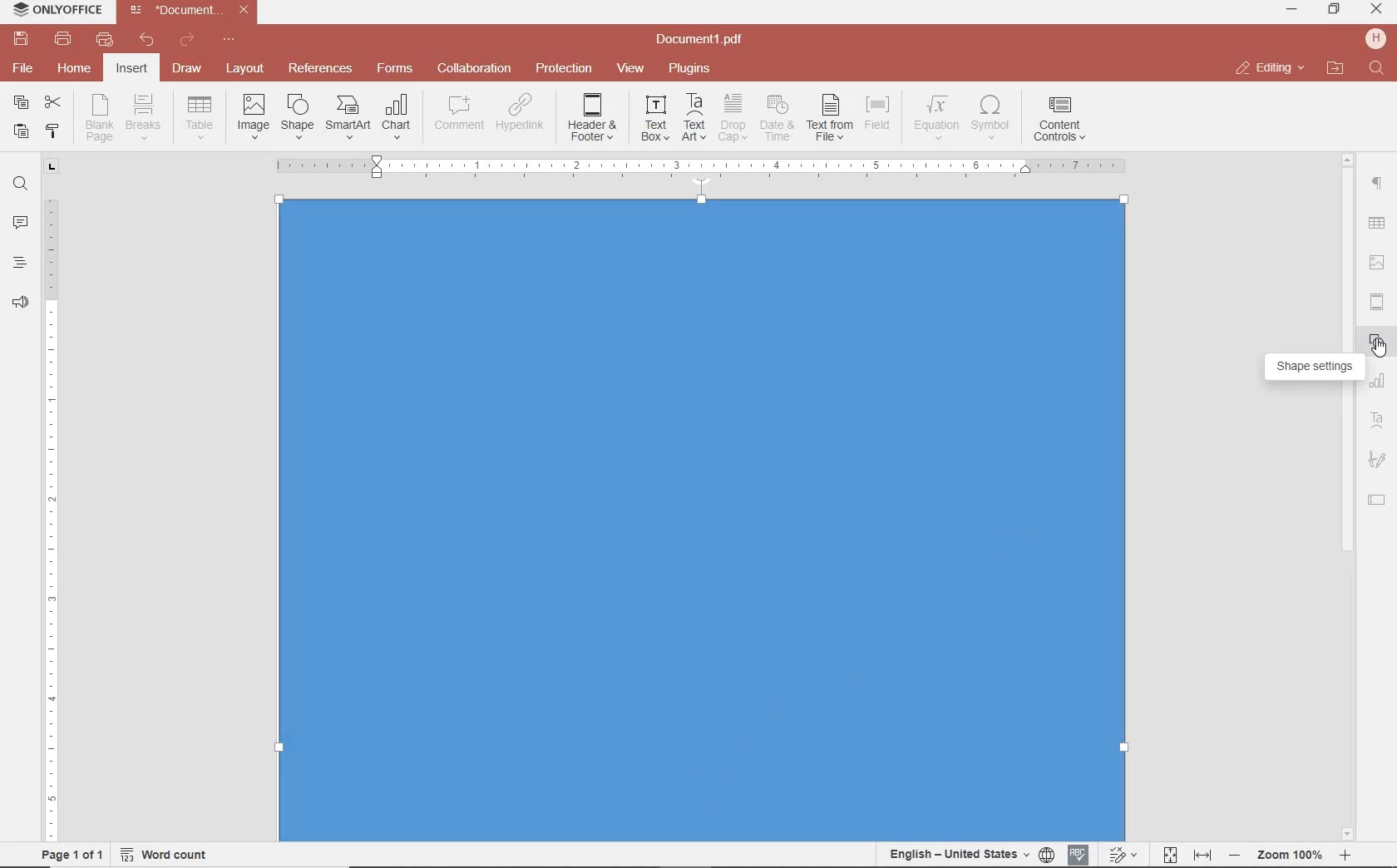 The width and height of the screenshot is (1397, 868). Describe the element at coordinates (24, 68) in the screenshot. I see `file` at that location.